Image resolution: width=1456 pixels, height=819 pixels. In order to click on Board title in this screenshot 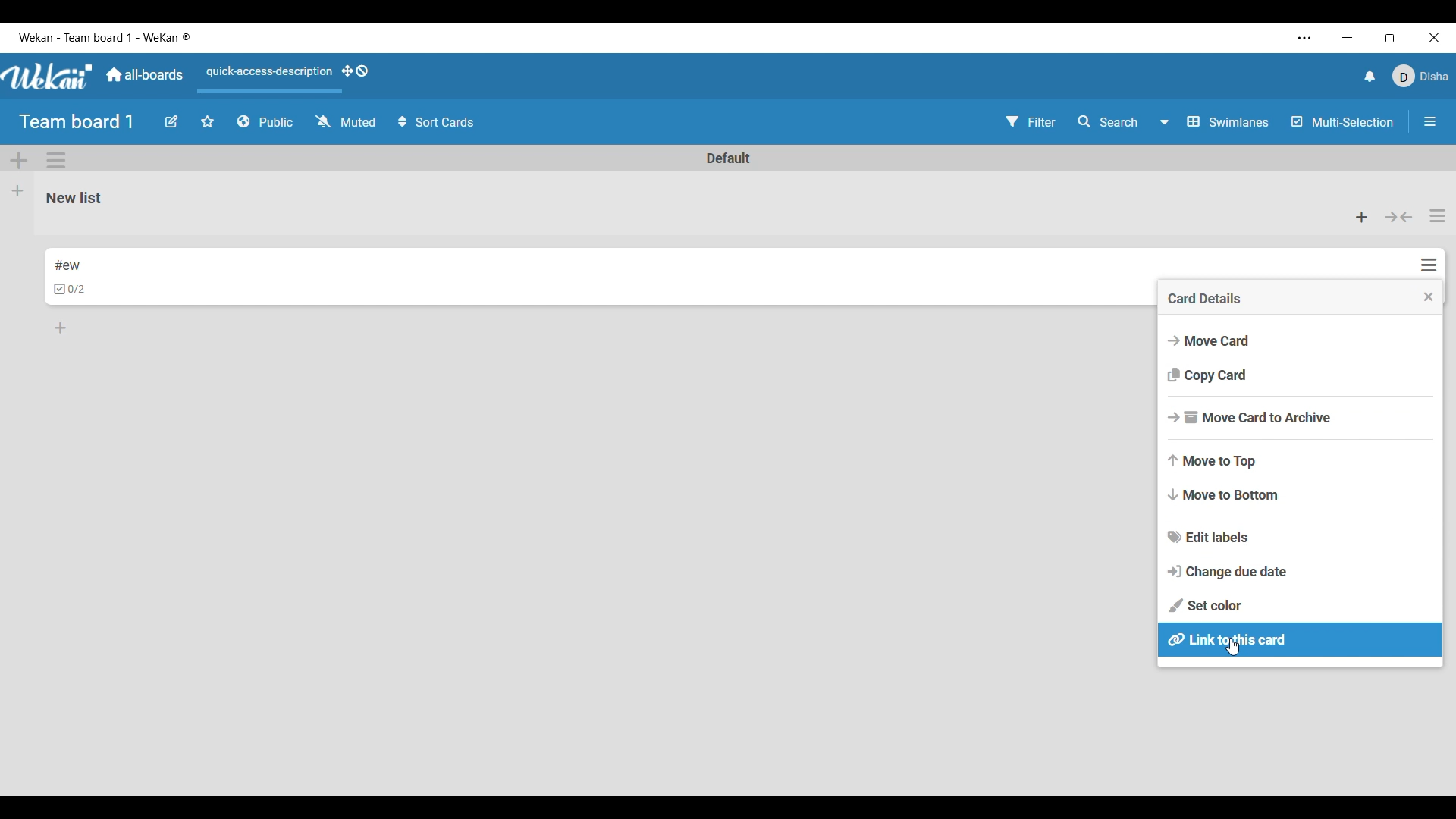, I will do `click(77, 122)`.